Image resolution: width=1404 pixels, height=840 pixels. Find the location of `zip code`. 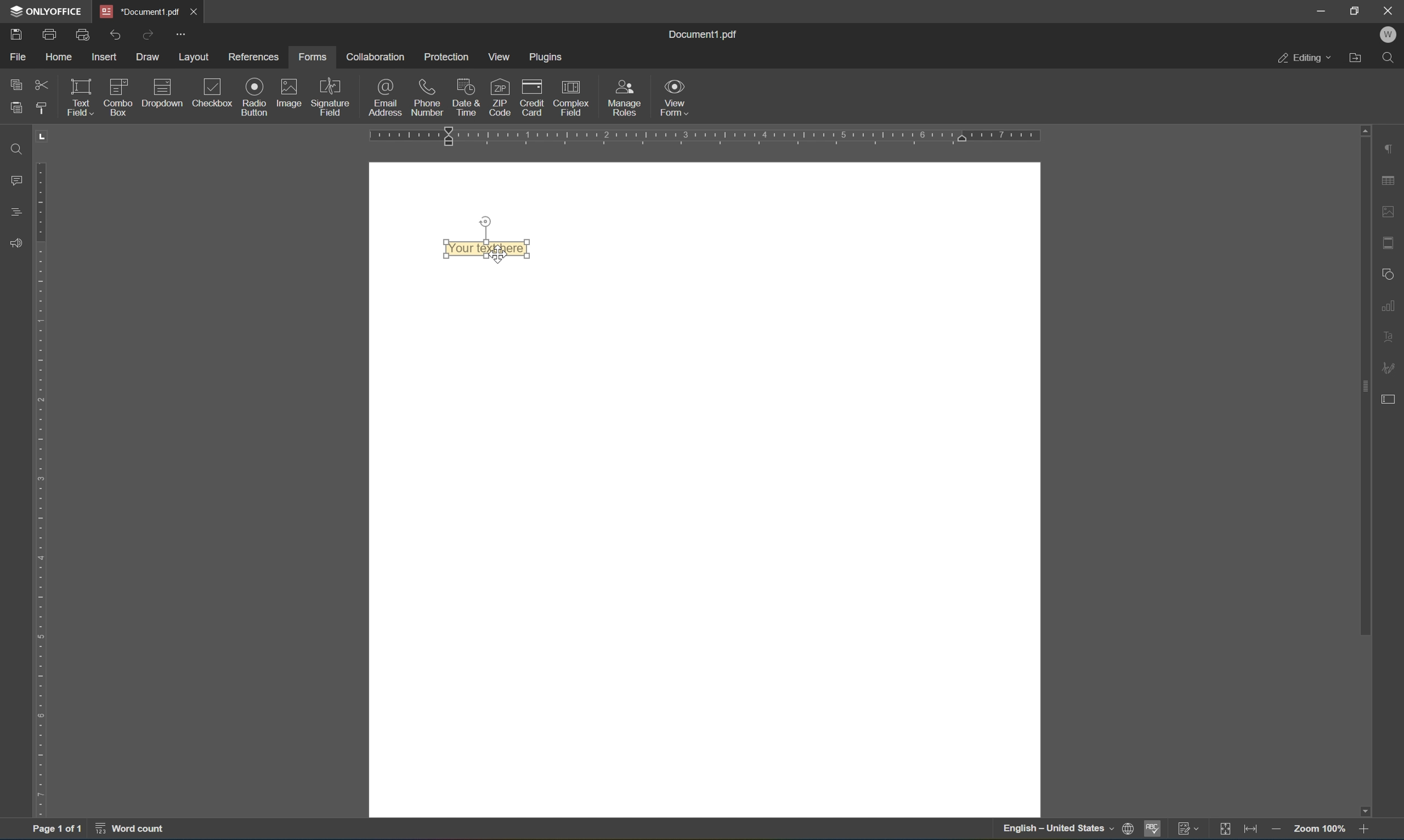

zip code is located at coordinates (499, 97).